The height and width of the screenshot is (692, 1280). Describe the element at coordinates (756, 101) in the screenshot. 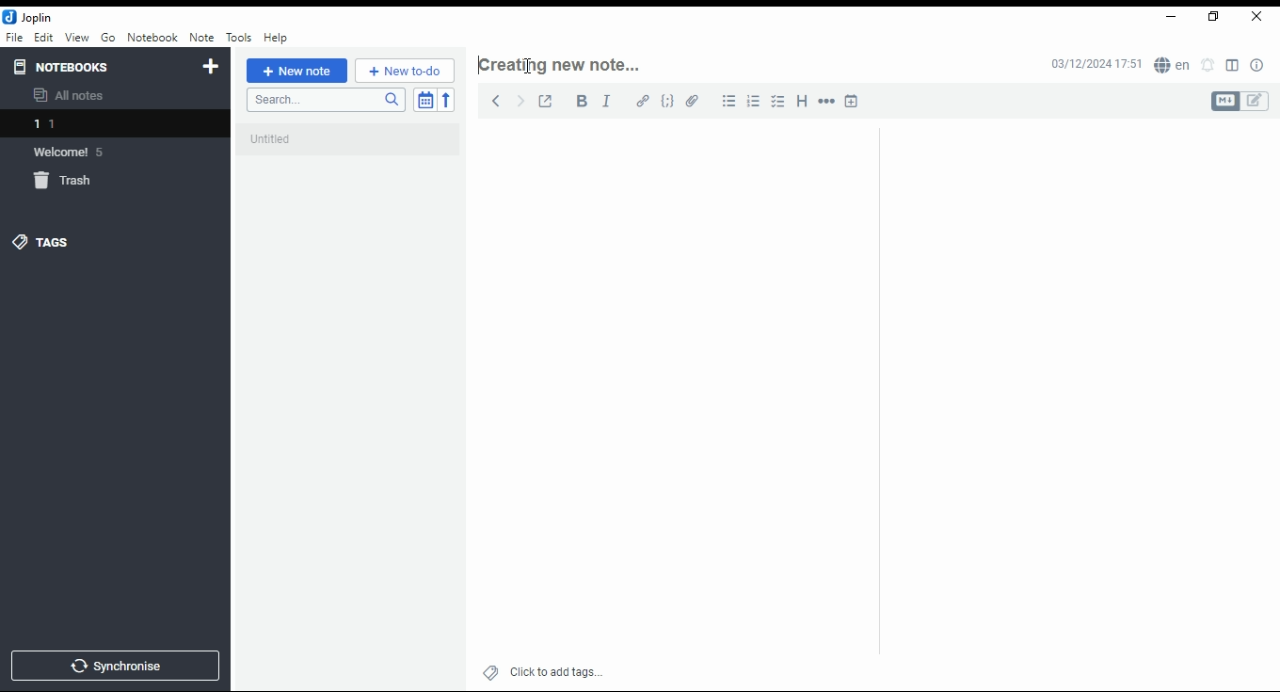

I see `numbered list` at that location.